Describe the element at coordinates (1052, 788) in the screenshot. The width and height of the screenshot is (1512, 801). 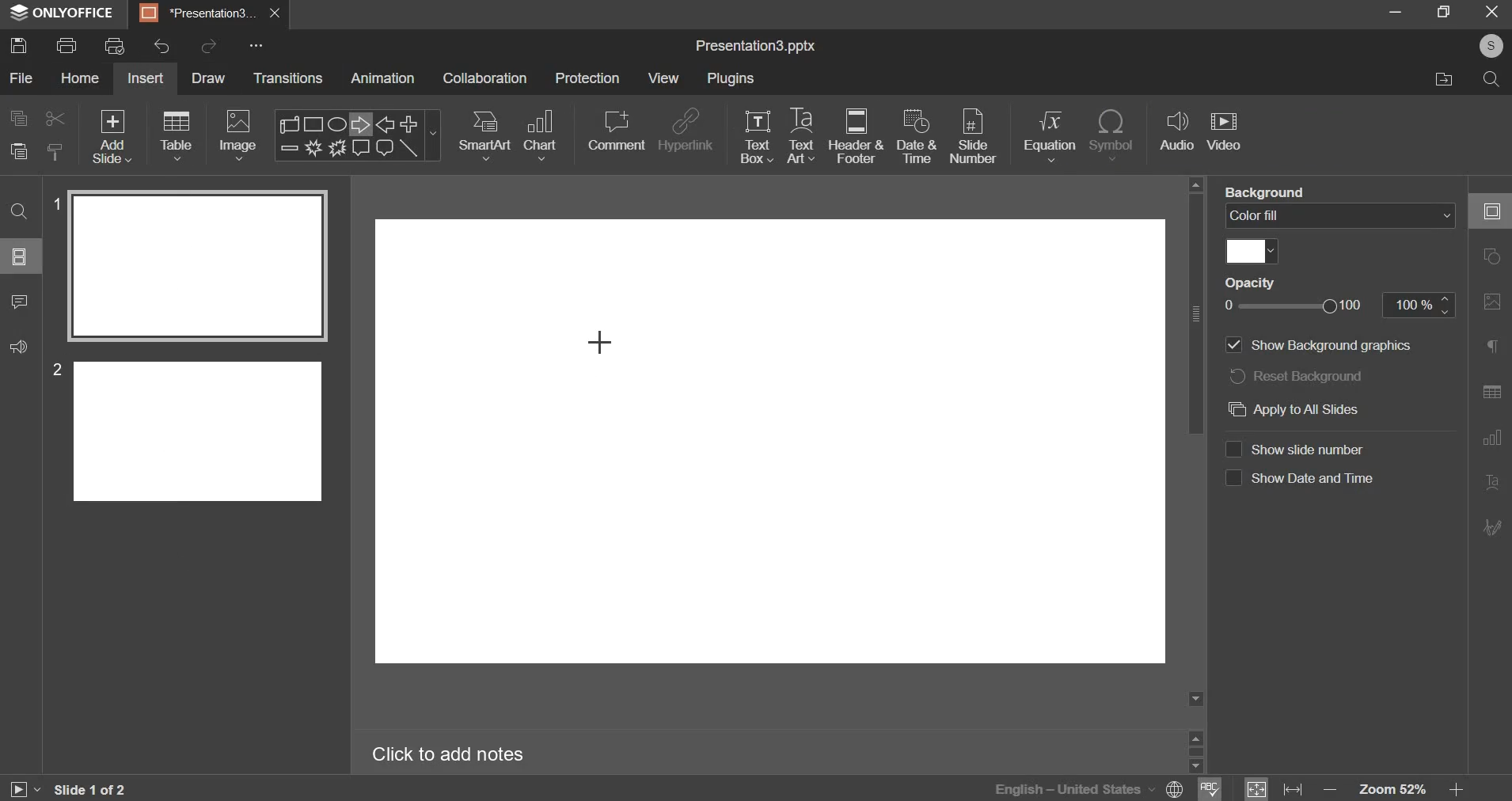
I see `language` at that location.